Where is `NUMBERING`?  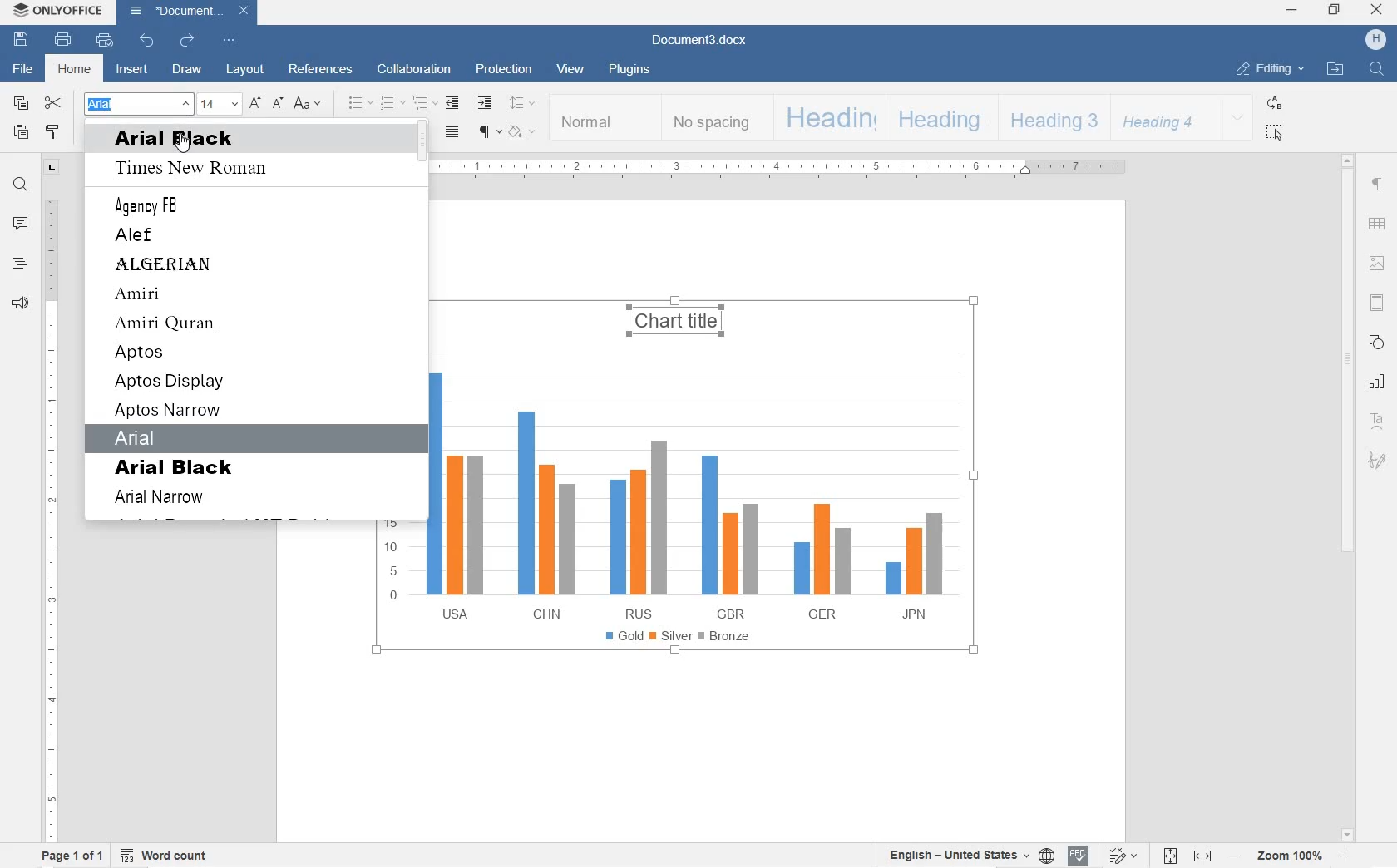 NUMBERING is located at coordinates (392, 104).